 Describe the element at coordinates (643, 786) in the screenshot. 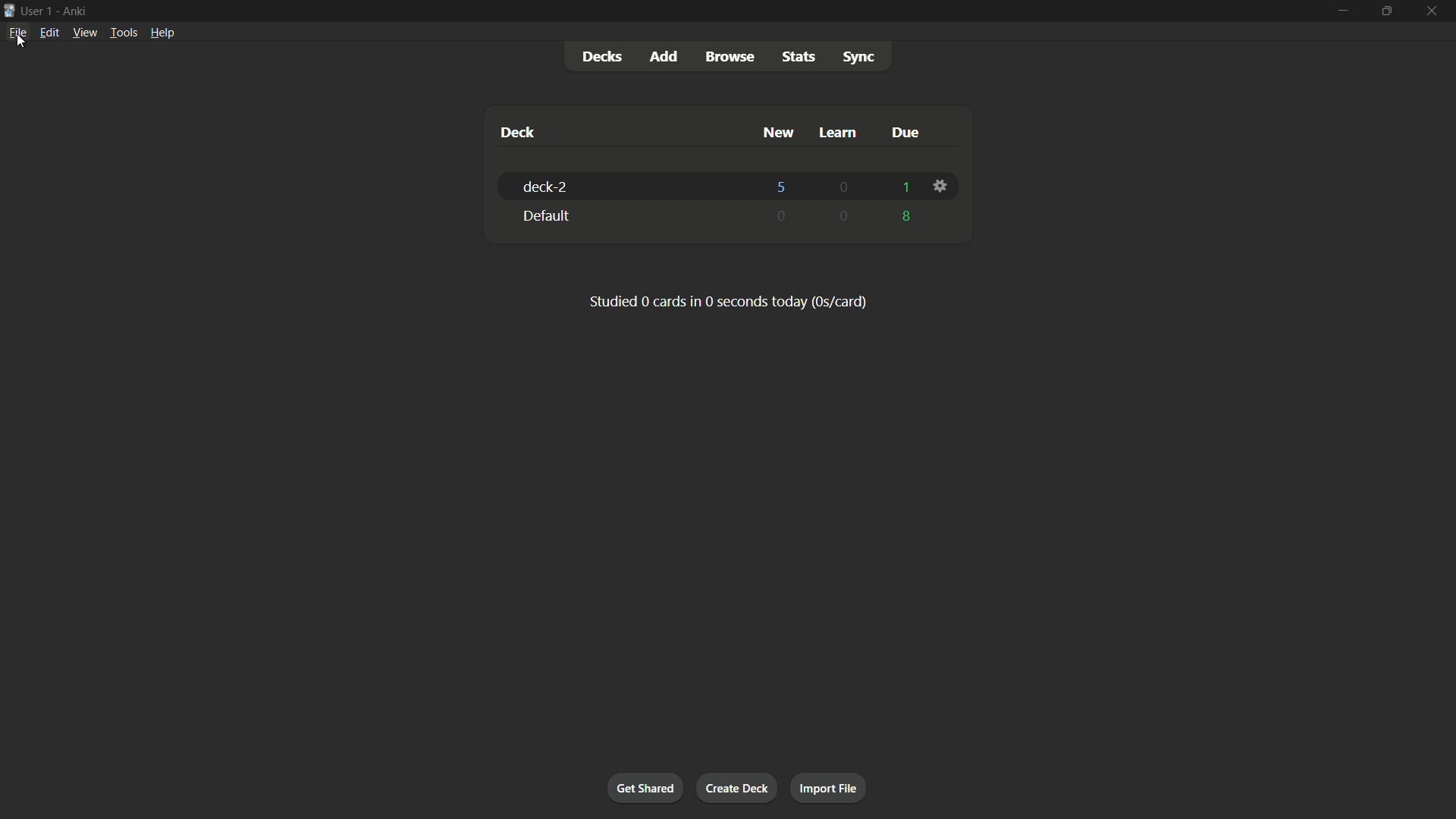

I see `Get shared` at that location.